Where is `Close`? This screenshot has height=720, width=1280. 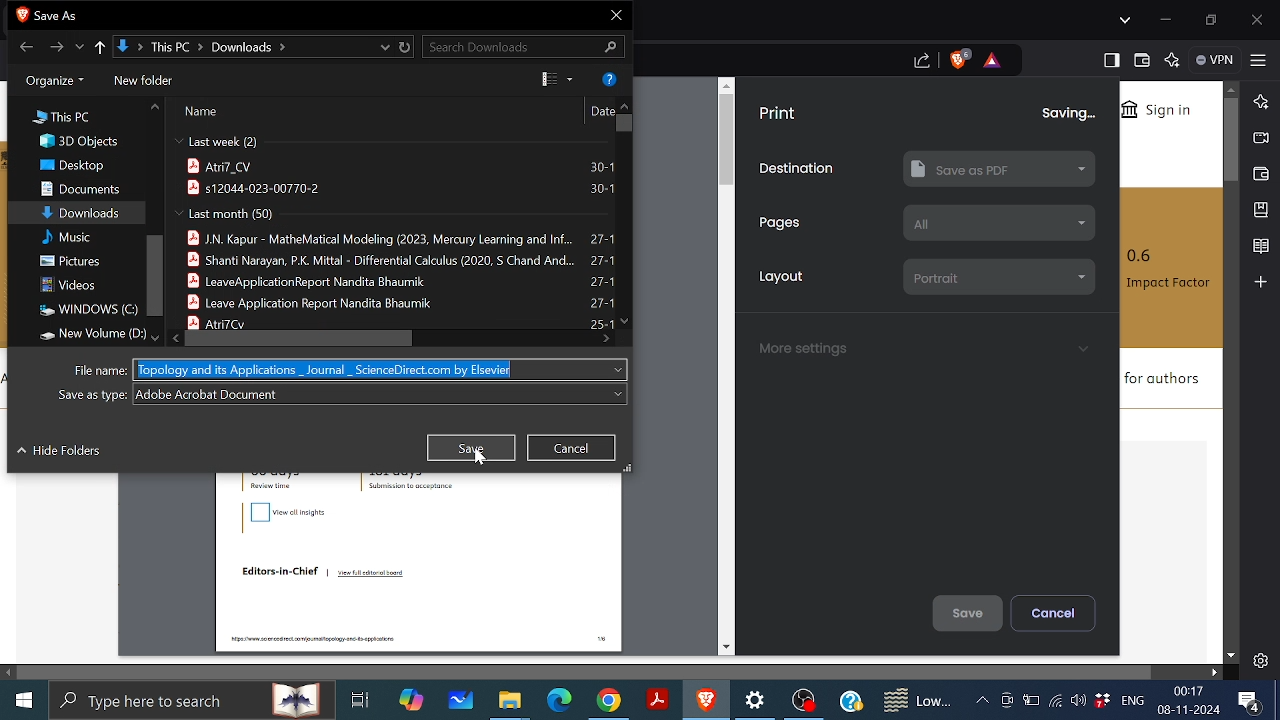
Close is located at coordinates (615, 16).